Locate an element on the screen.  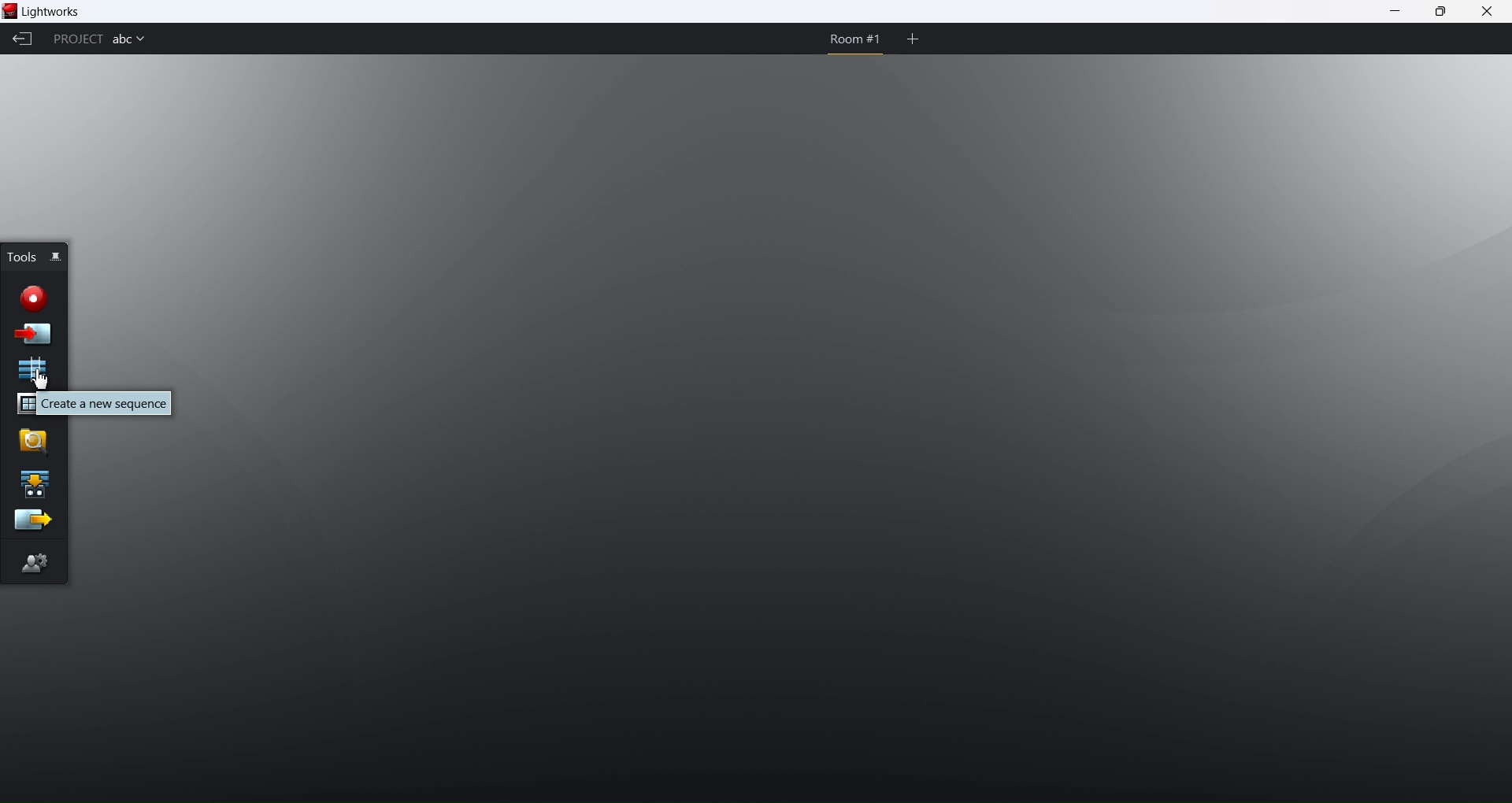
pin this object is located at coordinates (61, 258).